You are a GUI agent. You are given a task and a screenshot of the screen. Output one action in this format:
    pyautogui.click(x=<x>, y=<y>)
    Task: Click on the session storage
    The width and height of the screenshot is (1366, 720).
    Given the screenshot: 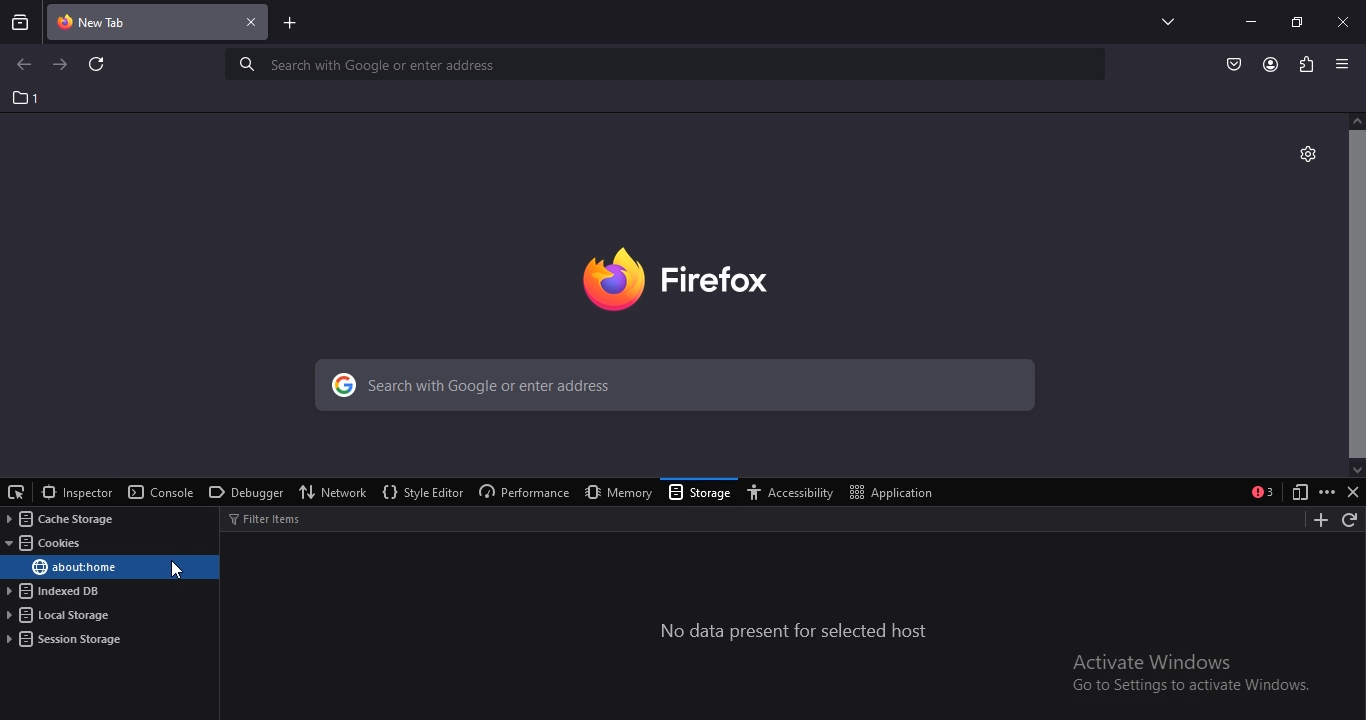 What is the action you would take?
    pyautogui.click(x=66, y=639)
    